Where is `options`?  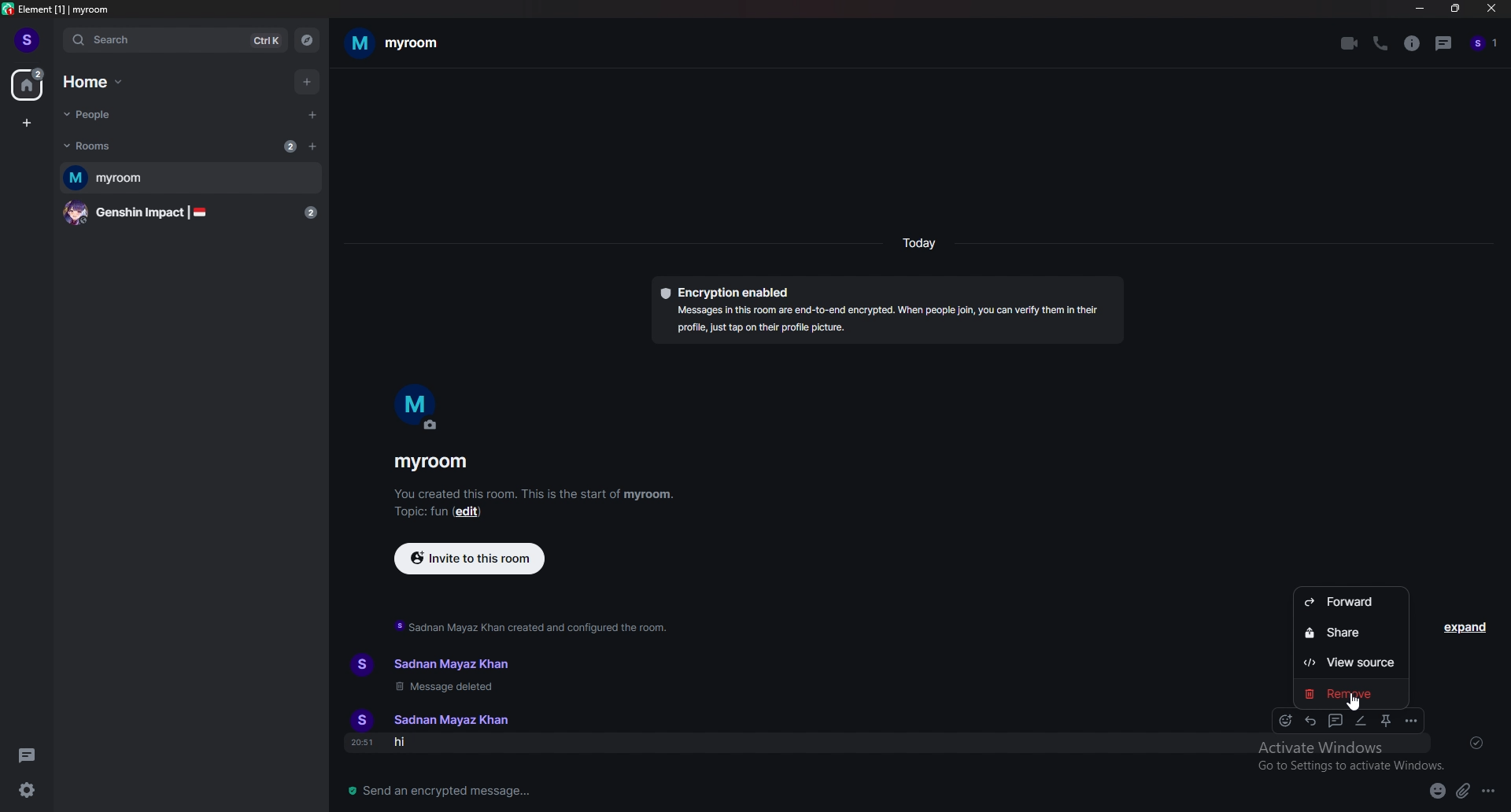
options is located at coordinates (1411, 720).